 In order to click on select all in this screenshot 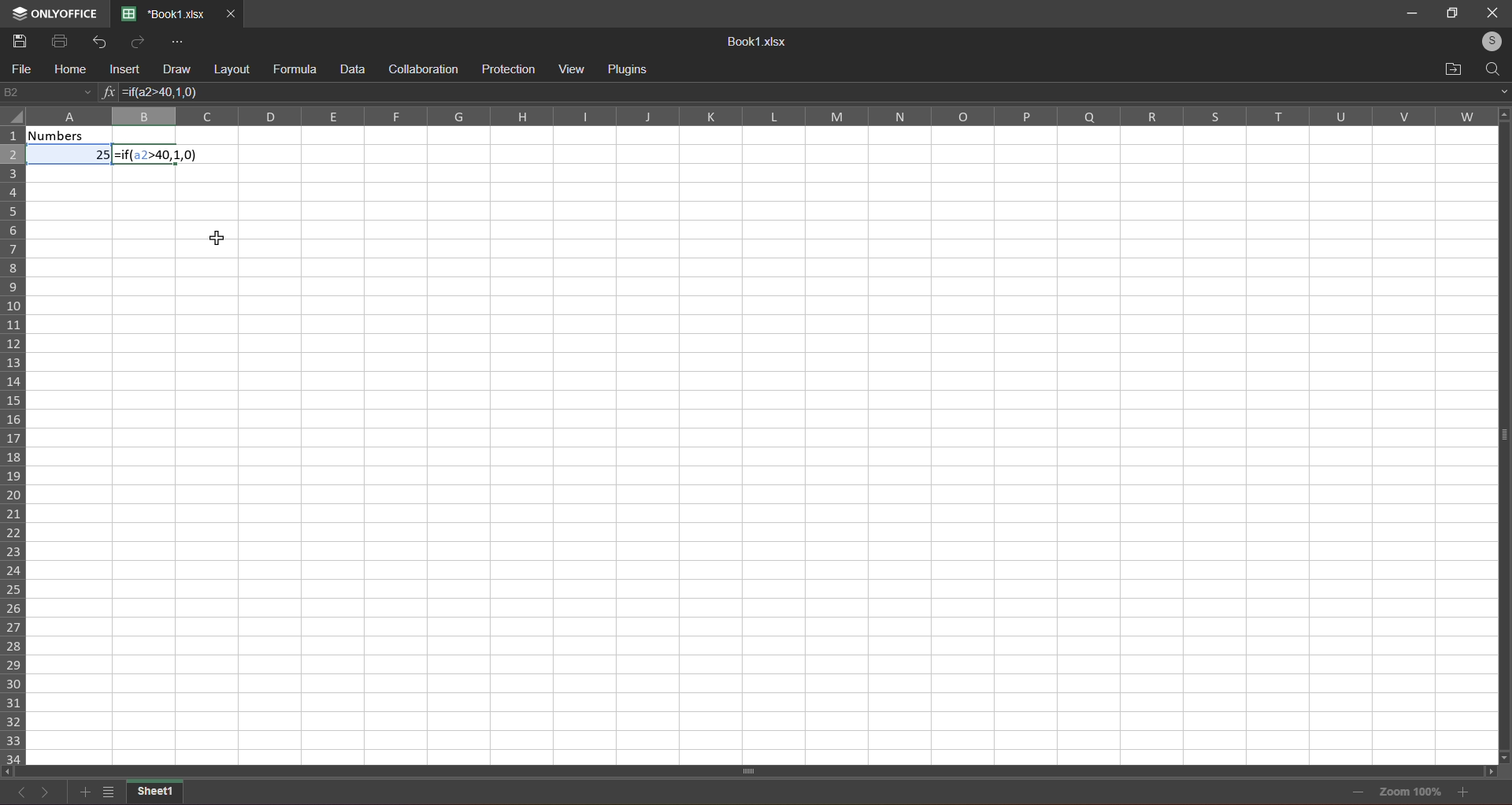, I will do `click(14, 121)`.